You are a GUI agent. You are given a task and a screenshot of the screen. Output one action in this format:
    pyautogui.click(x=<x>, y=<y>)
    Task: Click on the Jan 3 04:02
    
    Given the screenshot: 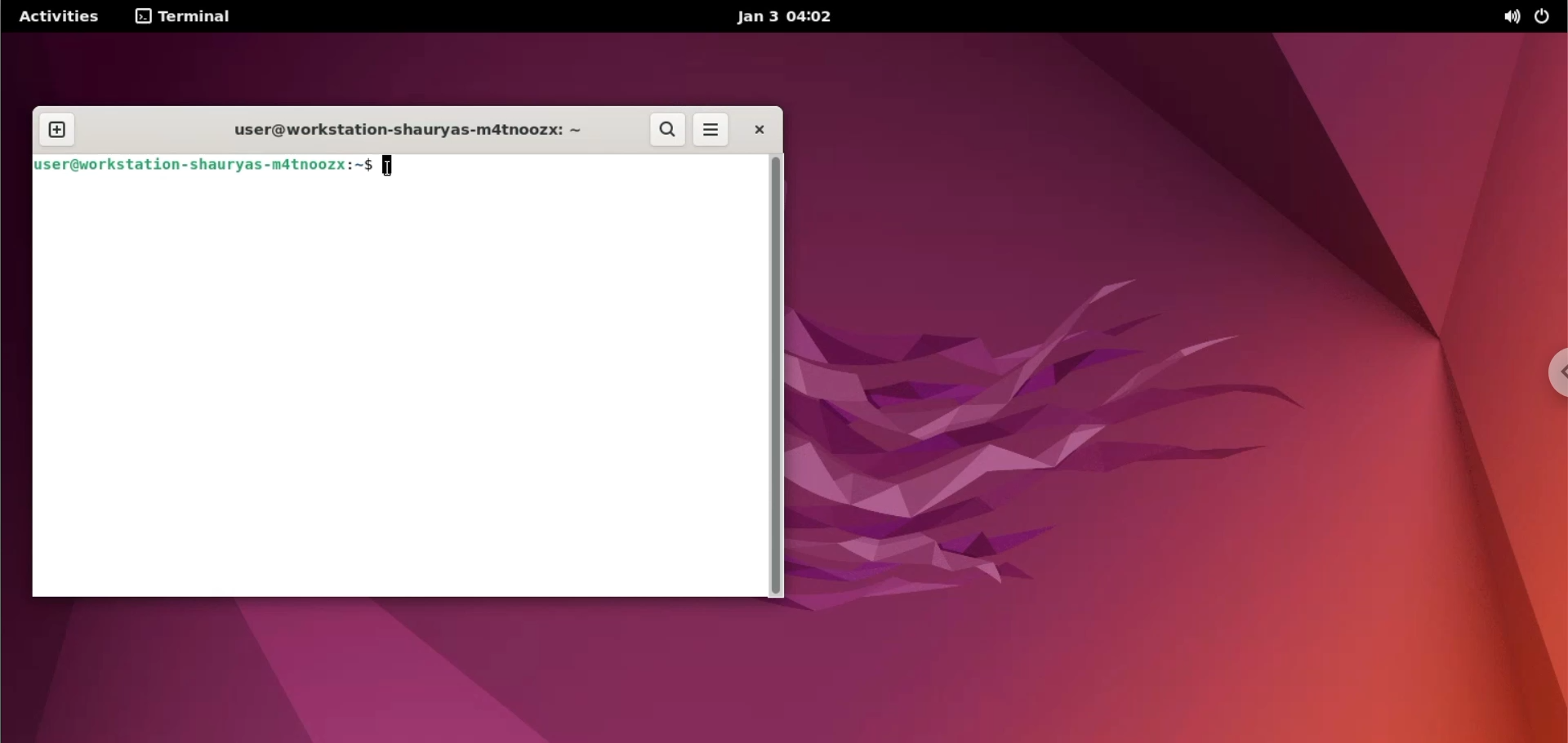 What is the action you would take?
    pyautogui.click(x=791, y=17)
    